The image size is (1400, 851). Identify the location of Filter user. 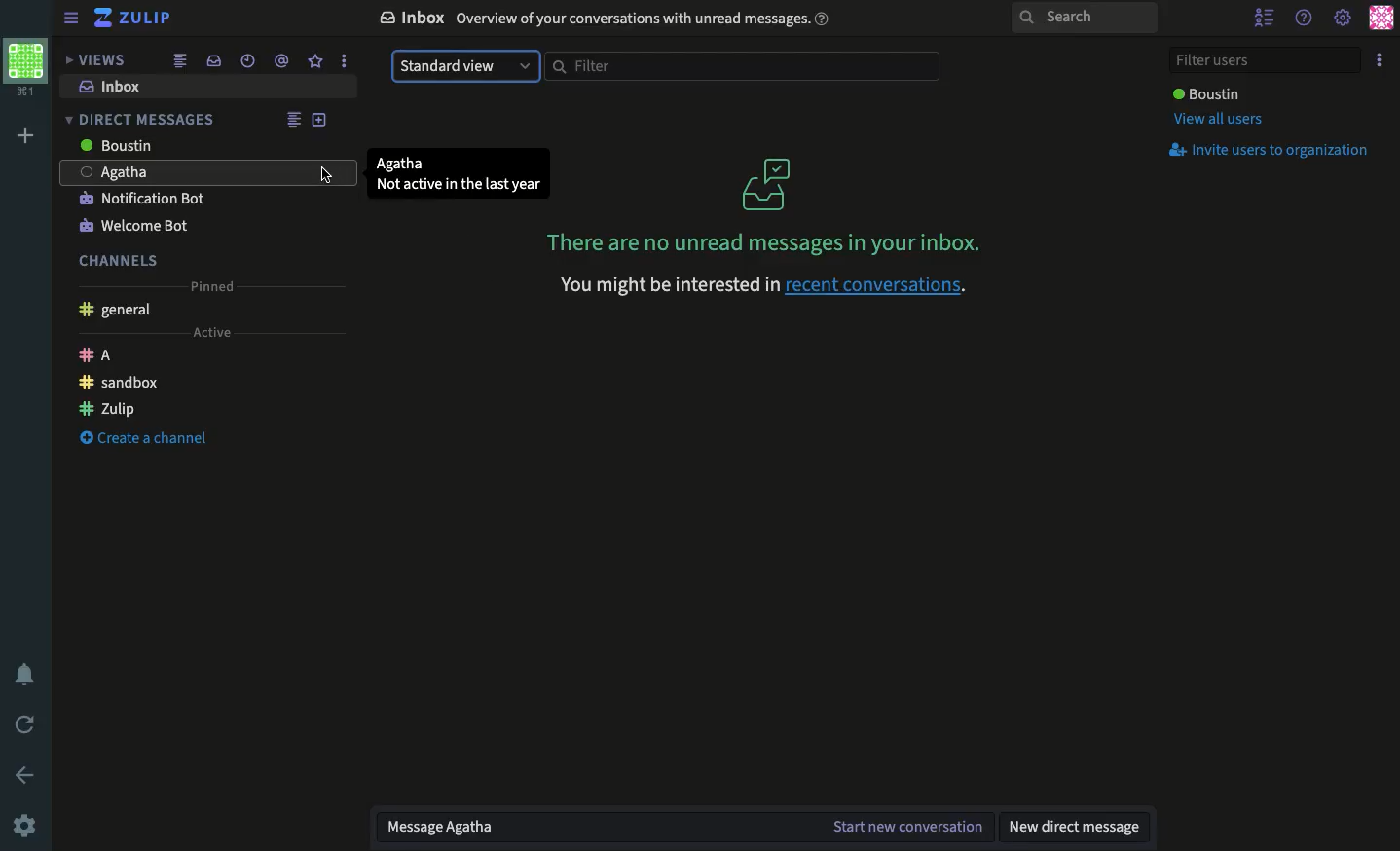
(1269, 60).